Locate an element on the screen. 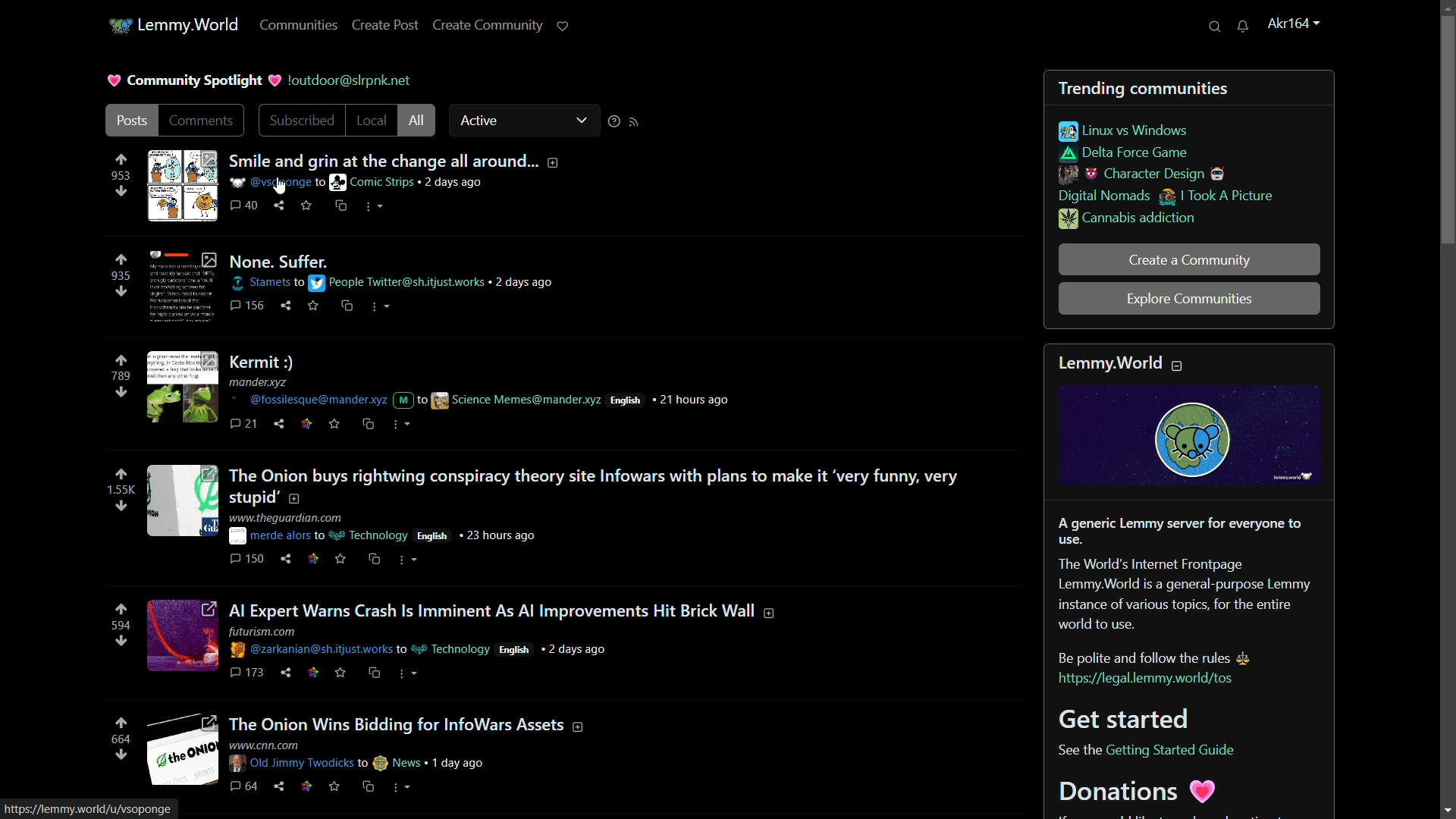 Image resolution: width=1456 pixels, height=819 pixels. server name is located at coordinates (349, 80).